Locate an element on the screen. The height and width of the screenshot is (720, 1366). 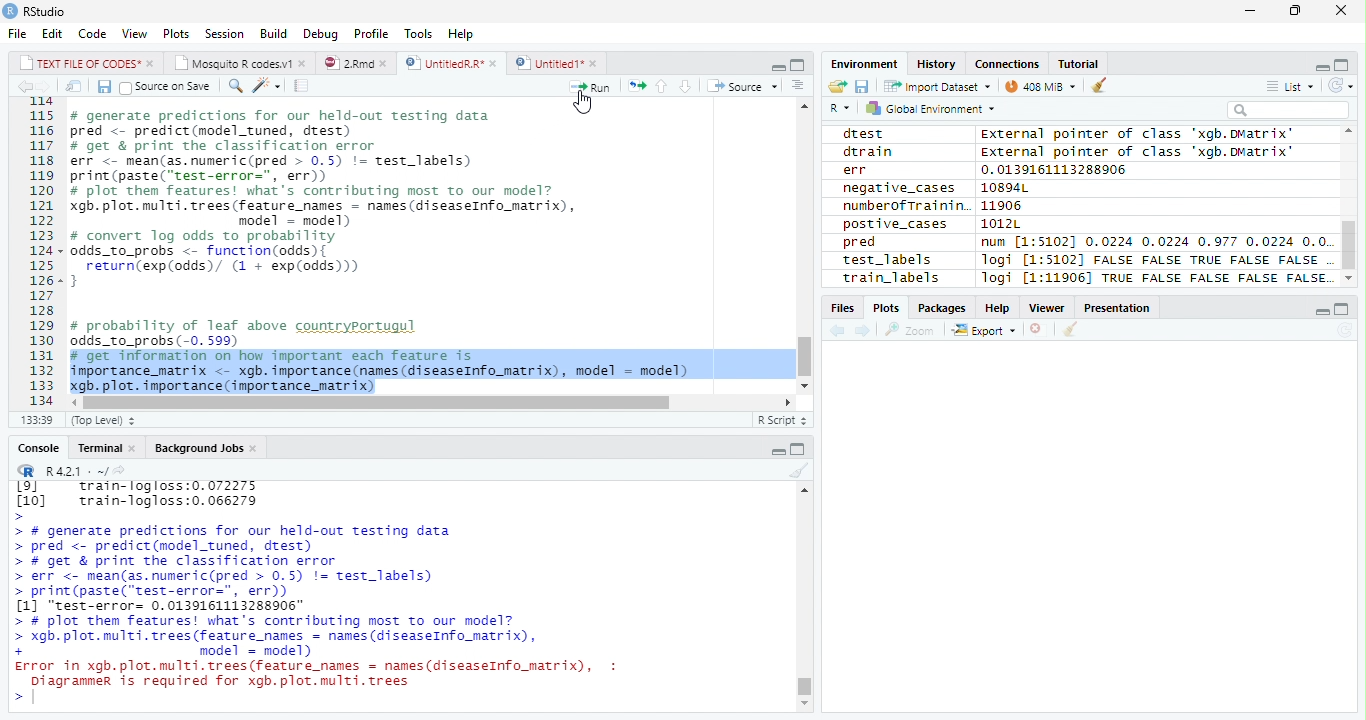
Maximize is located at coordinates (801, 447).